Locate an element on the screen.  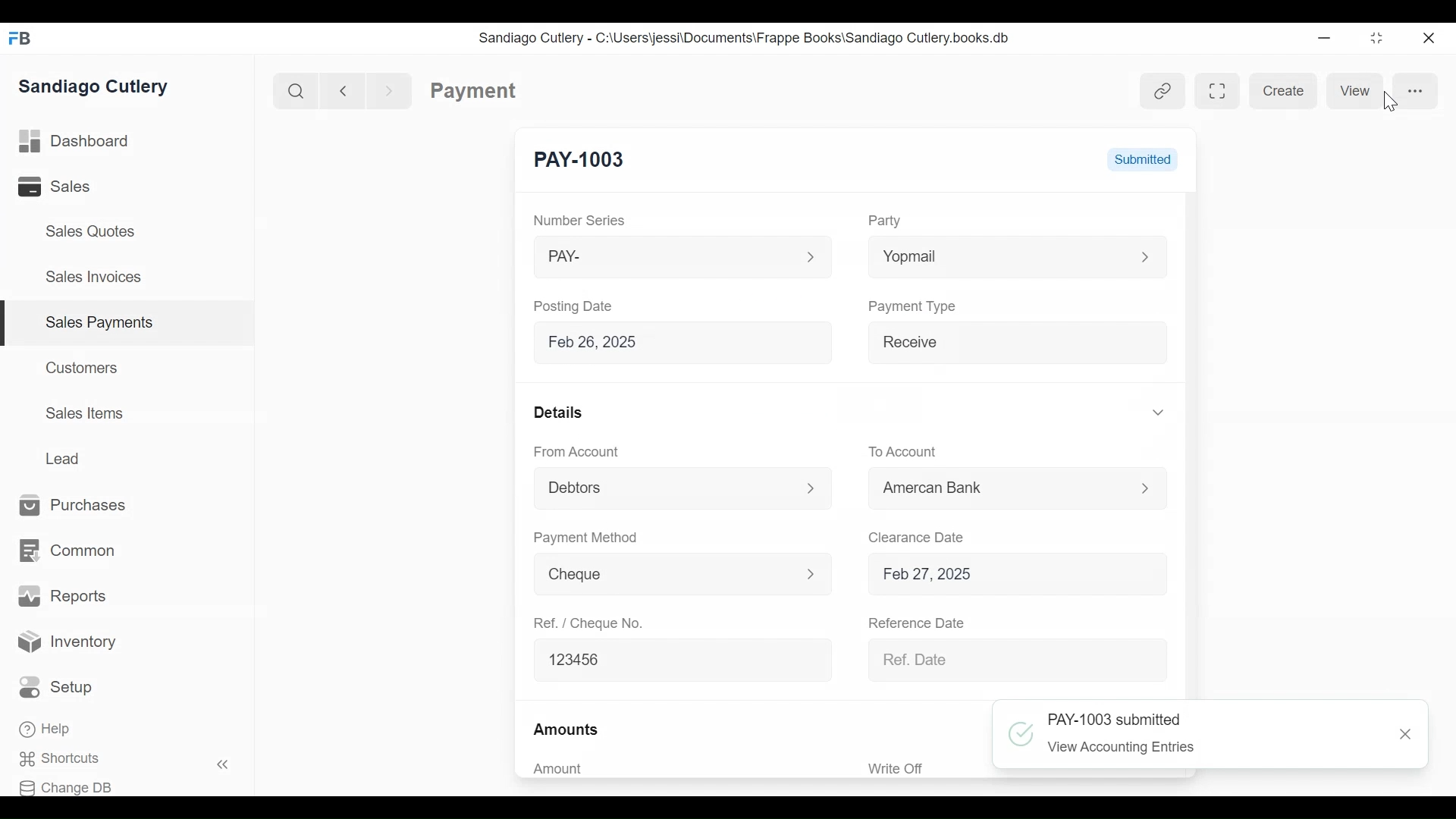
Ref Date is located at coordinates (1019, 660).